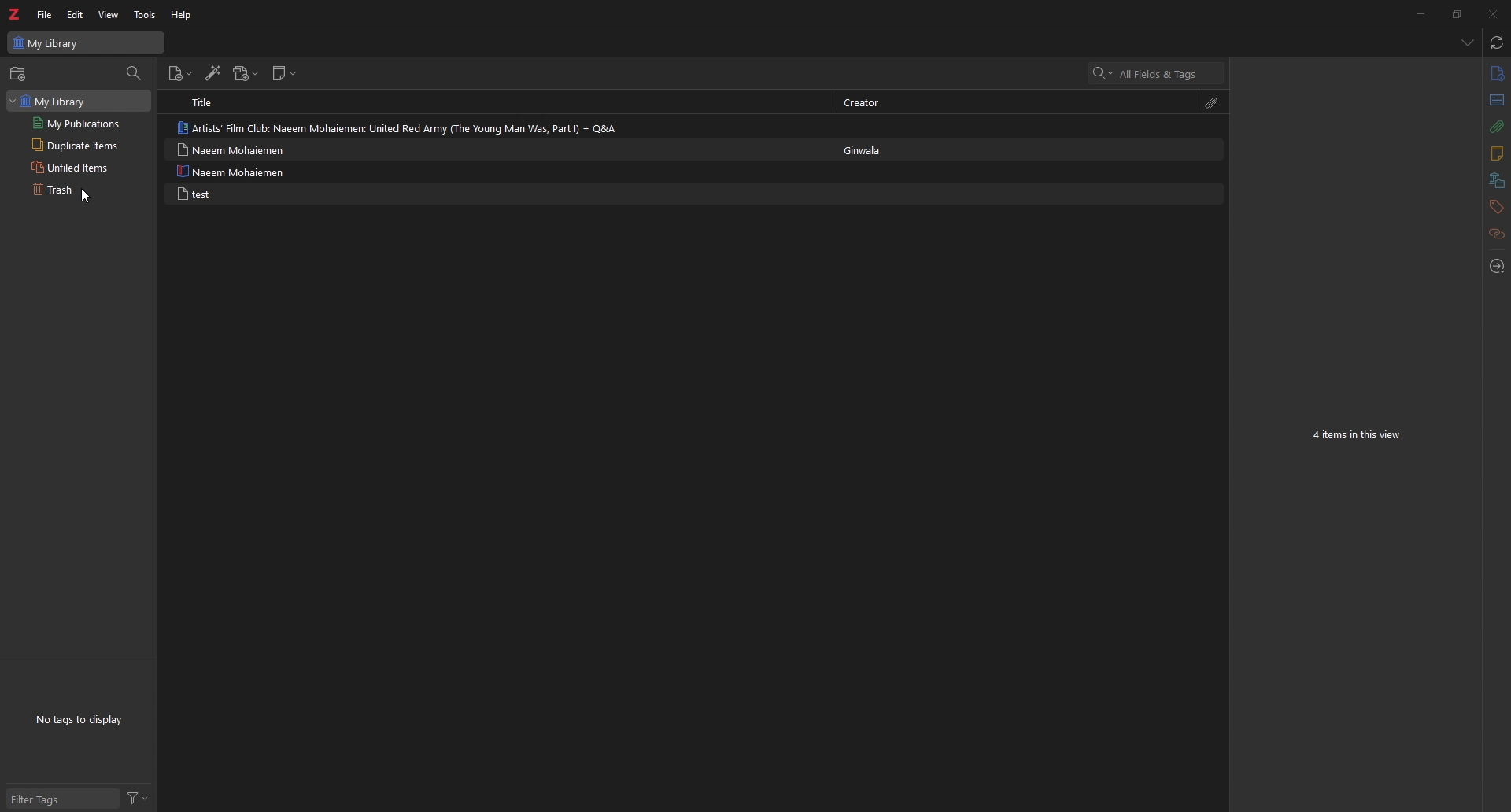 This screenshot has height=812, width=1511. I want to click on new note, so click(286, 73).